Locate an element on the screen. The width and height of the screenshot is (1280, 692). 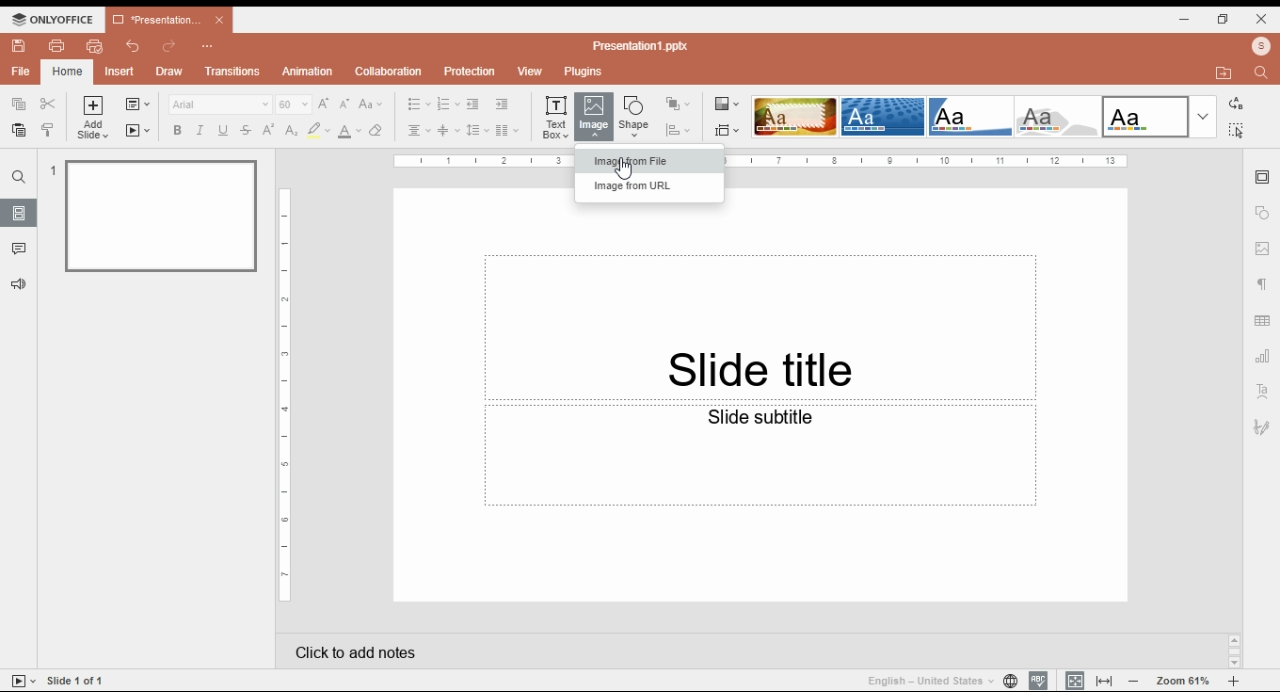
start slideshow is located at coordinates (22, 681).